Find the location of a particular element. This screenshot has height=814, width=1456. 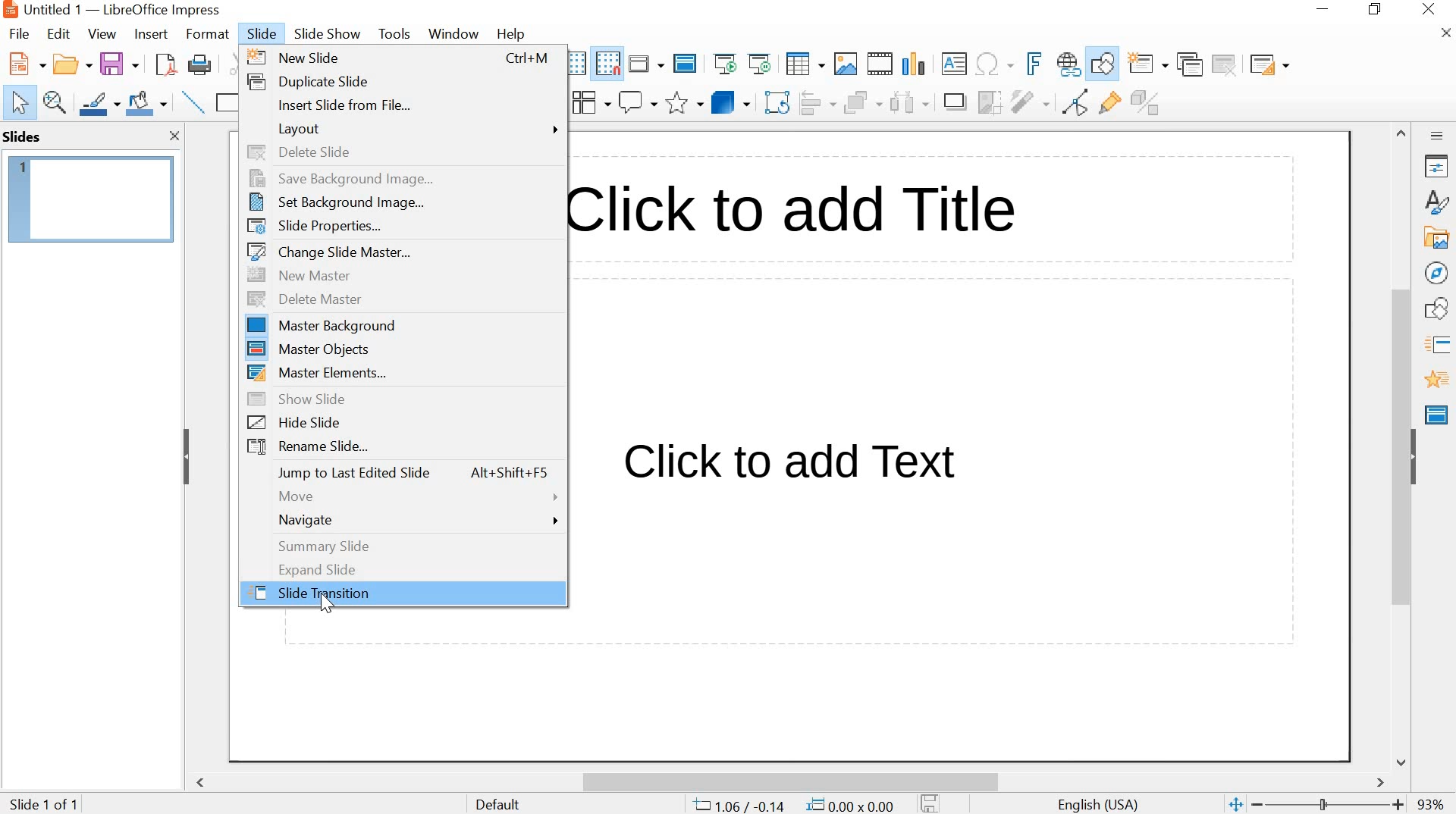

Display views is located at coordinates (647, 62).